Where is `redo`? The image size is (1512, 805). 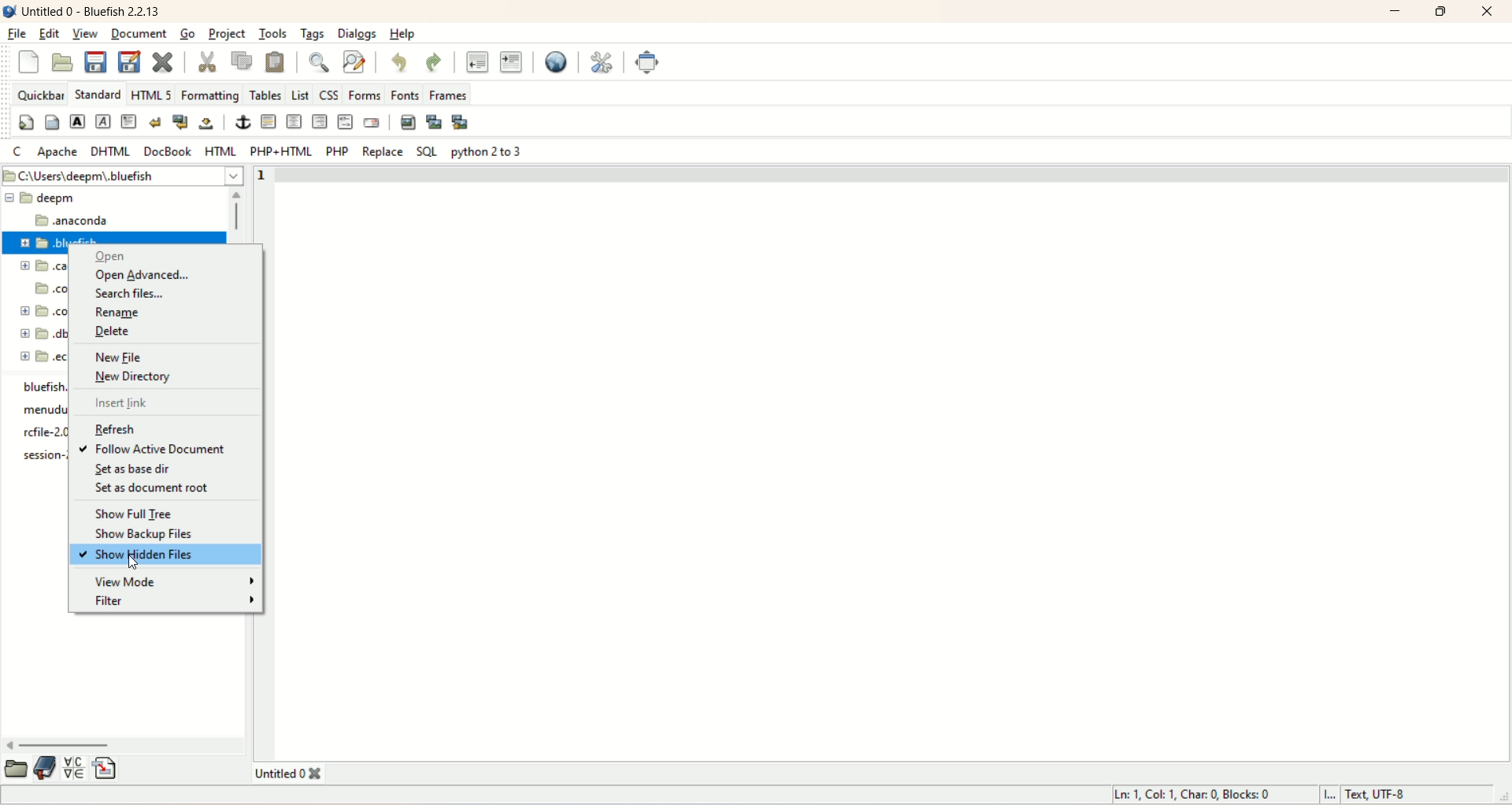
redo is located at coordinates (435, 63).